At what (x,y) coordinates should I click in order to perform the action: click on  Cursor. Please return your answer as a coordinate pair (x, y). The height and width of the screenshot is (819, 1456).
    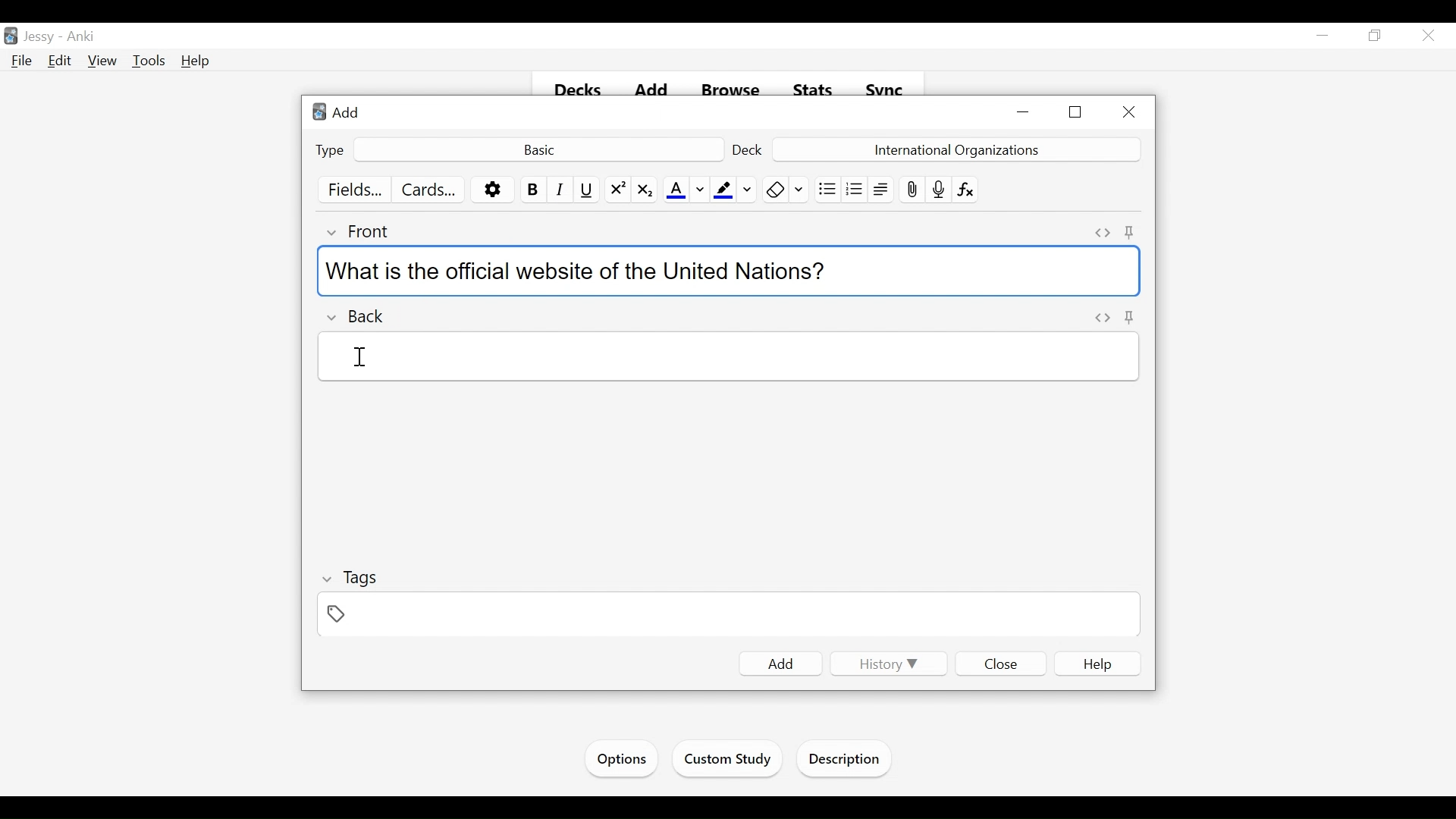
    Looking at the image, I should click on (366, 356).